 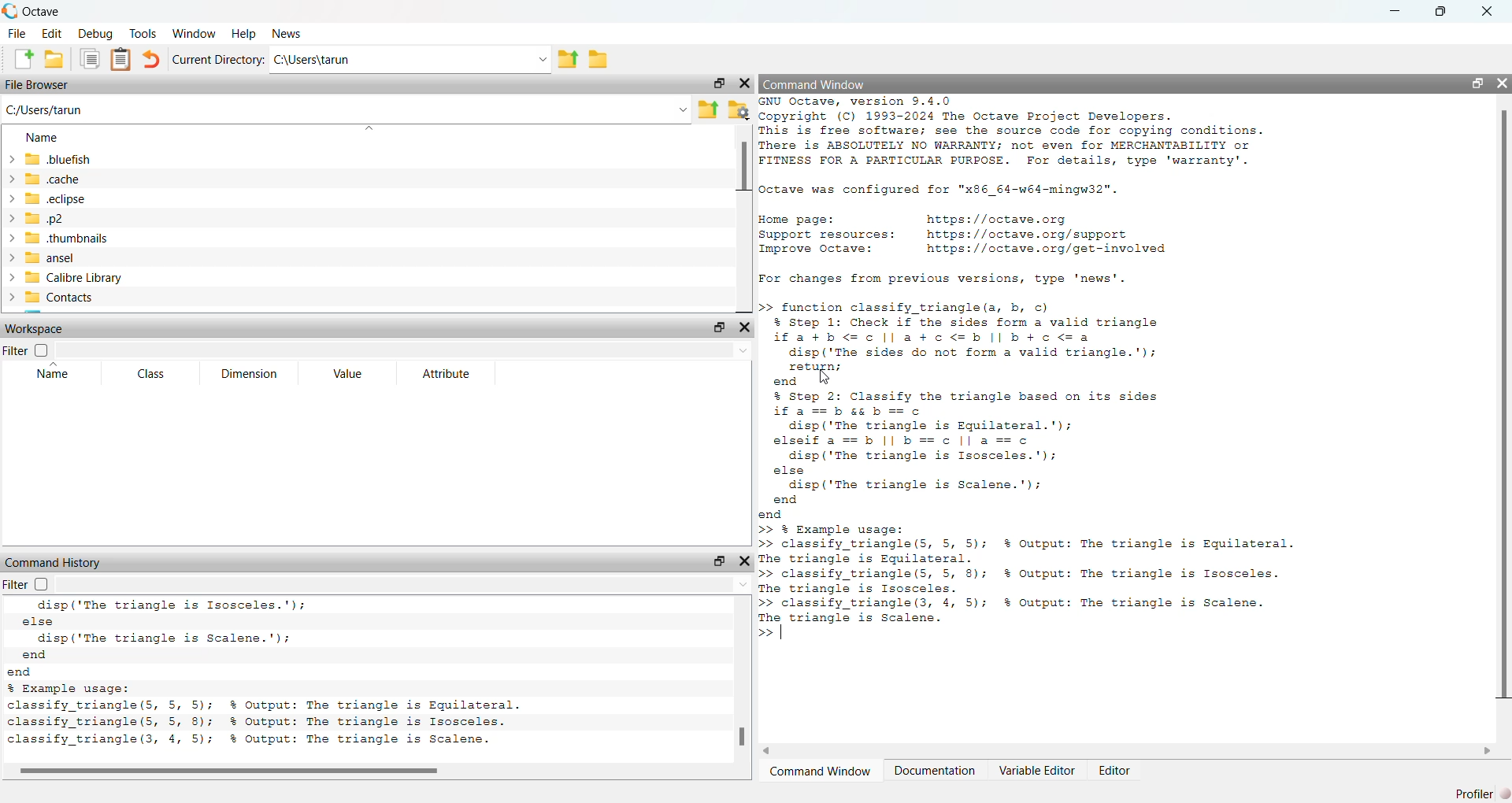 What do you see at coordinates (14, 34) in the screenshot?
I see `file` at bounding box center [14, 34].